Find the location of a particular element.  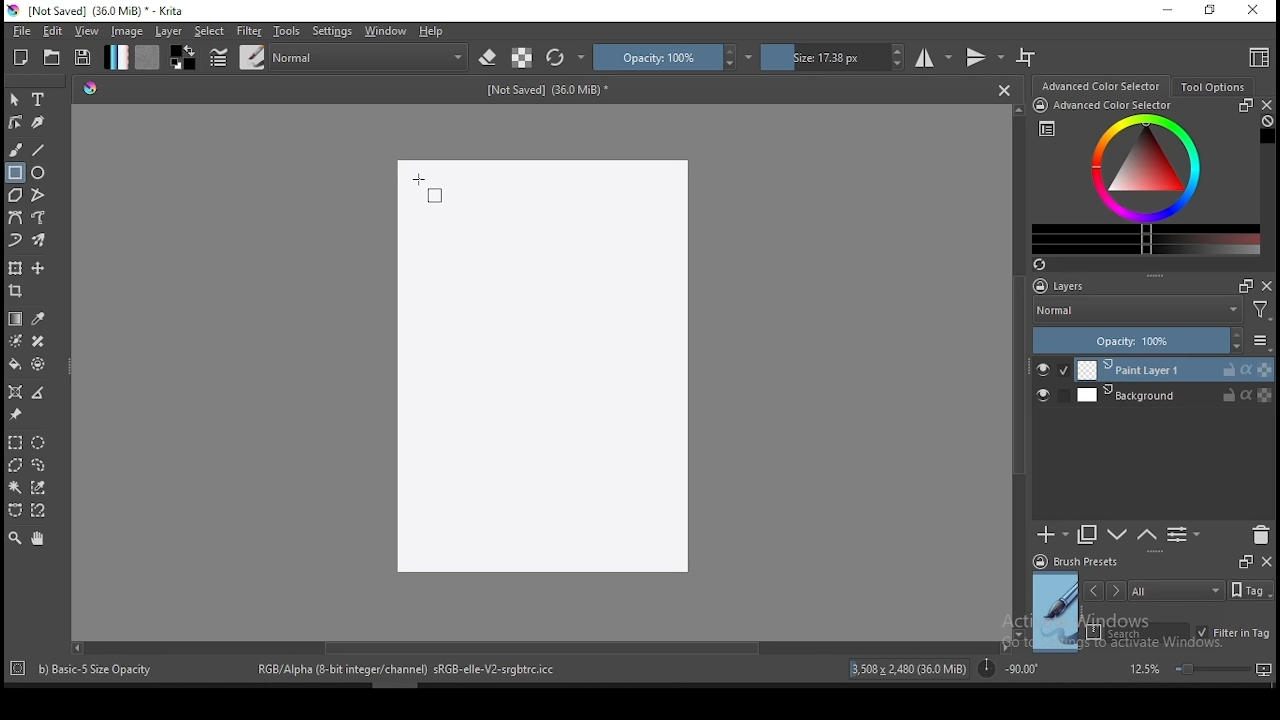

new is located at coordinates (21, 57).